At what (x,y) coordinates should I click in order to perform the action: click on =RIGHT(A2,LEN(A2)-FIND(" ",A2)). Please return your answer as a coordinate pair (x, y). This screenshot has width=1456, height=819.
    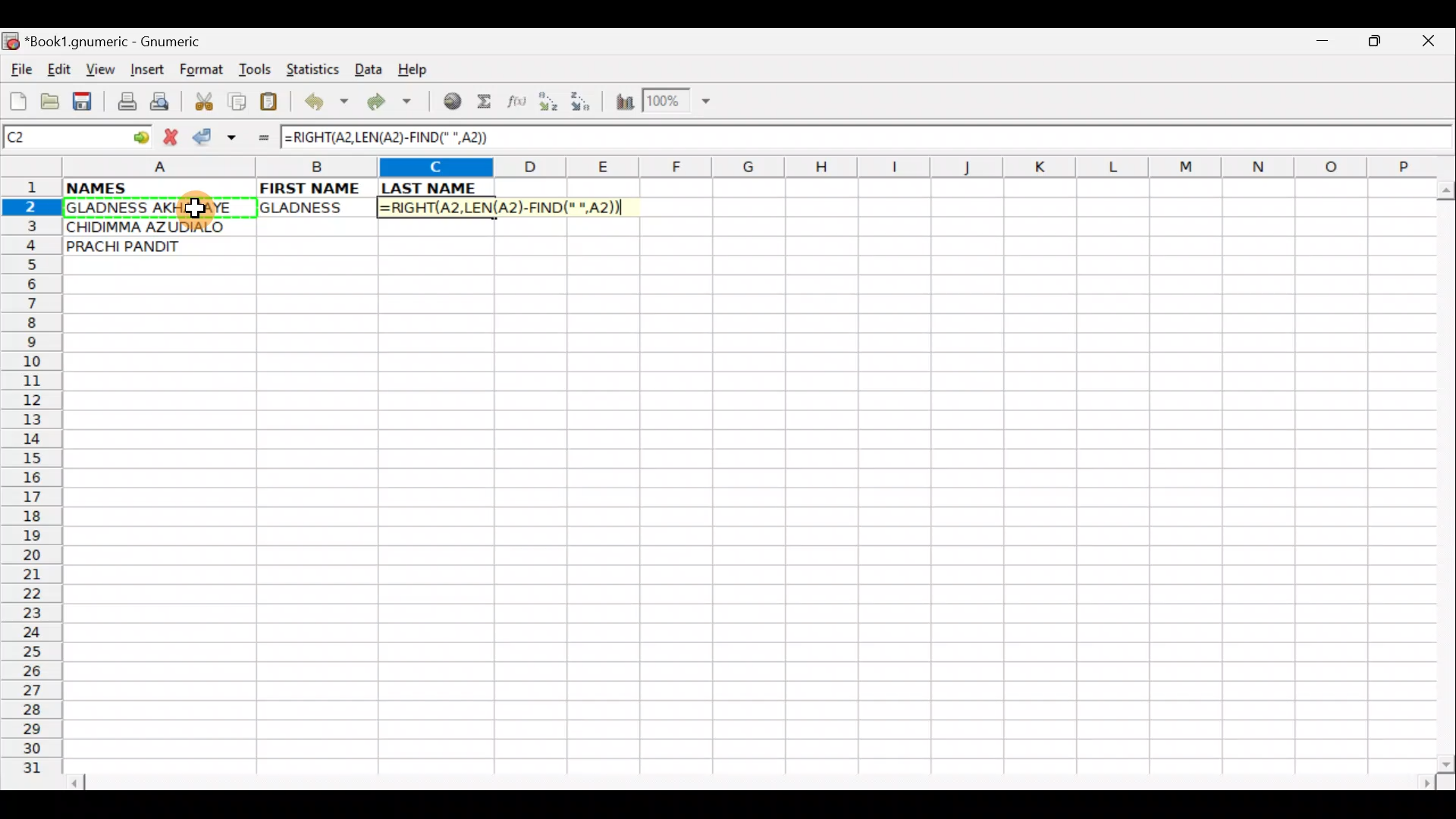
    Looking at the image, I should click on (506, 206).